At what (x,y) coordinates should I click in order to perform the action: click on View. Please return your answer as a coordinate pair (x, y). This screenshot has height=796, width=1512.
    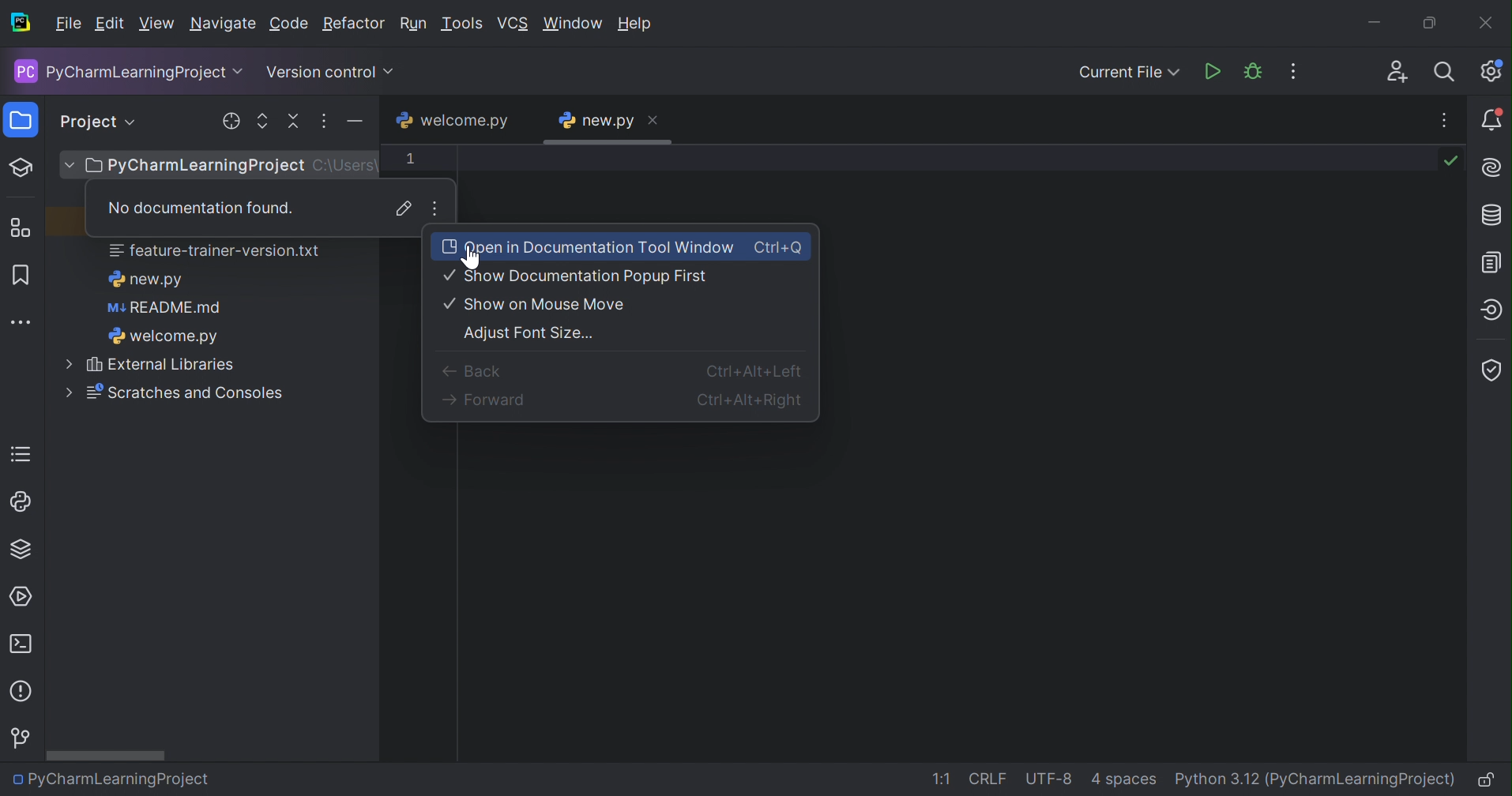
    Looking at the image, I should click on (157, 24).